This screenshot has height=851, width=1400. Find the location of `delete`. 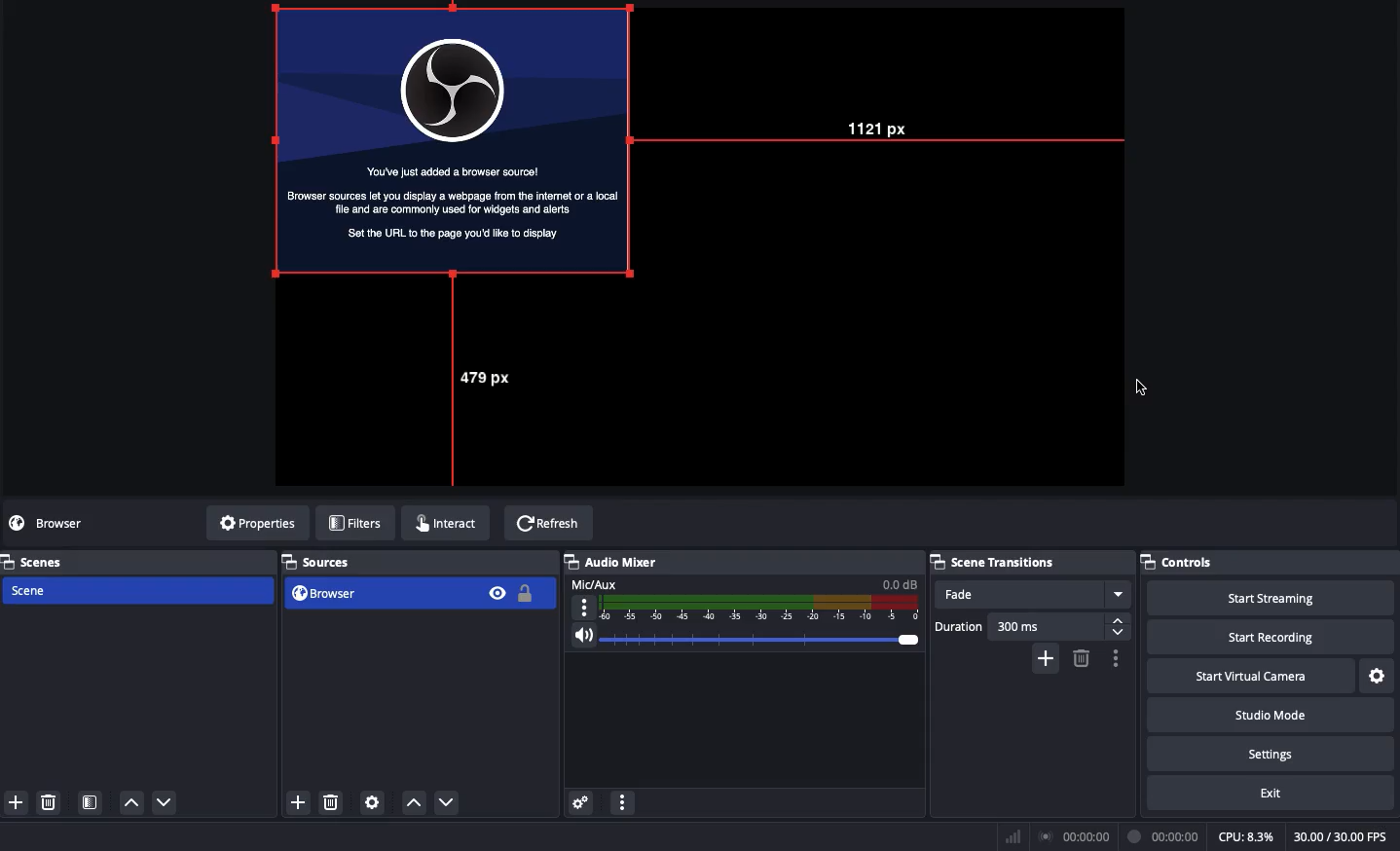

delete is located at coordinates (326, 796).